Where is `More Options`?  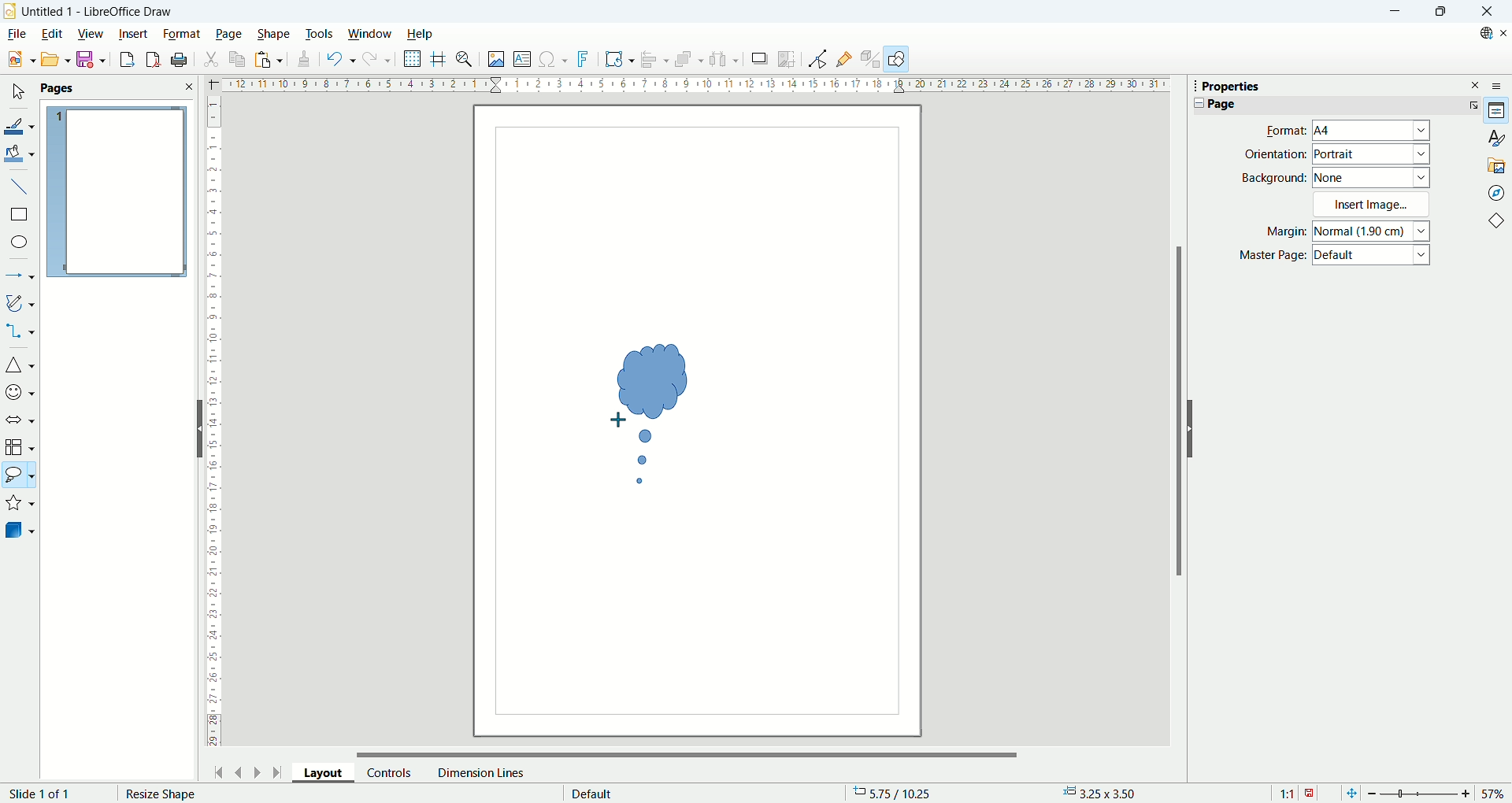 More Options is located at coordinates (1470, 105).